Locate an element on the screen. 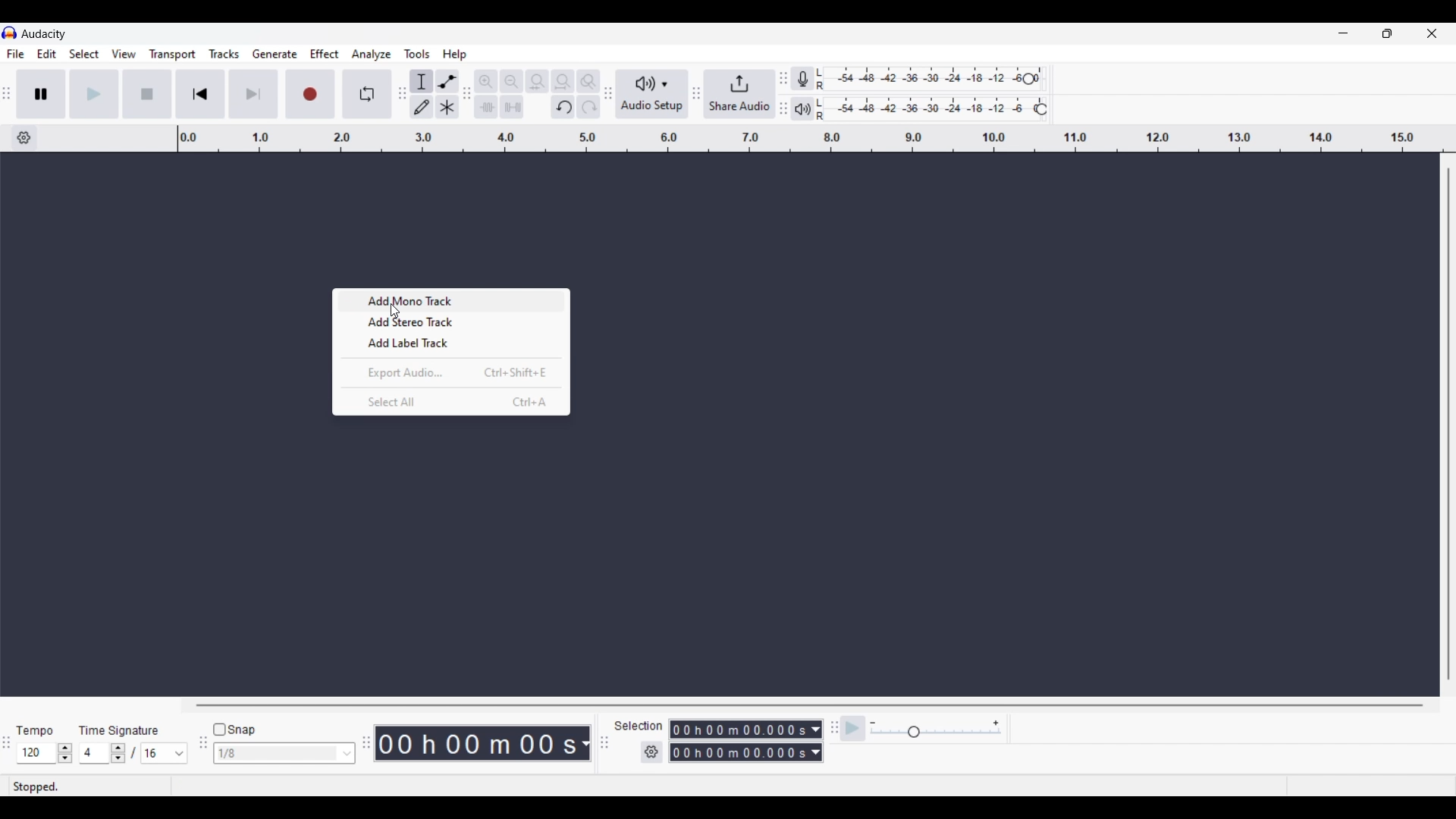 This screenshot has width=1456, height=819. Vertical slide bar is located at coordinates (1448, 424).